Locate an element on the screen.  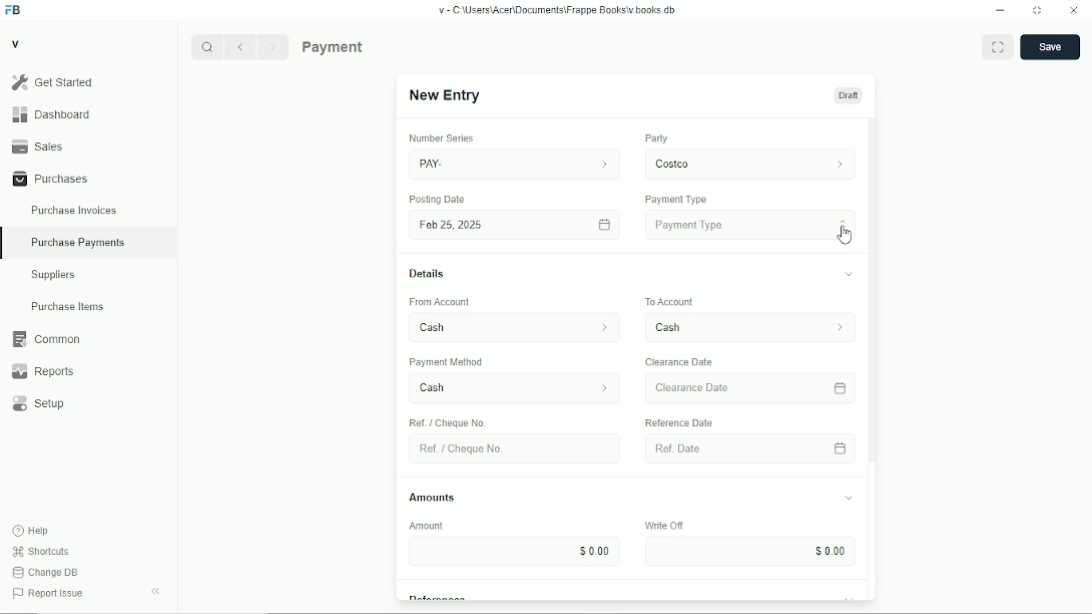
Ref Date. is located at coordinates (738, 447).